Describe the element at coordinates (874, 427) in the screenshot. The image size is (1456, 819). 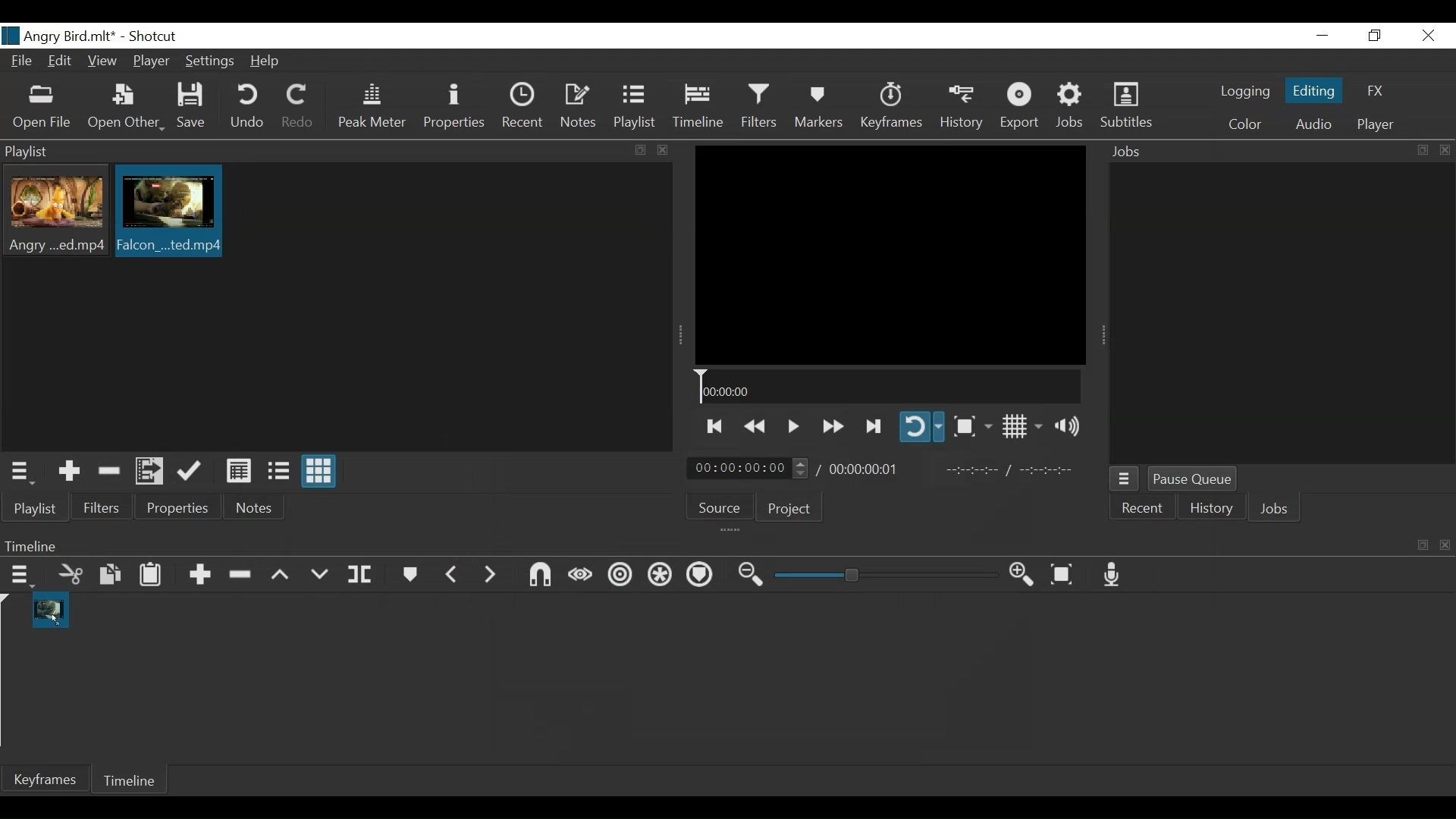
I see `Skip to the next point` at that location.